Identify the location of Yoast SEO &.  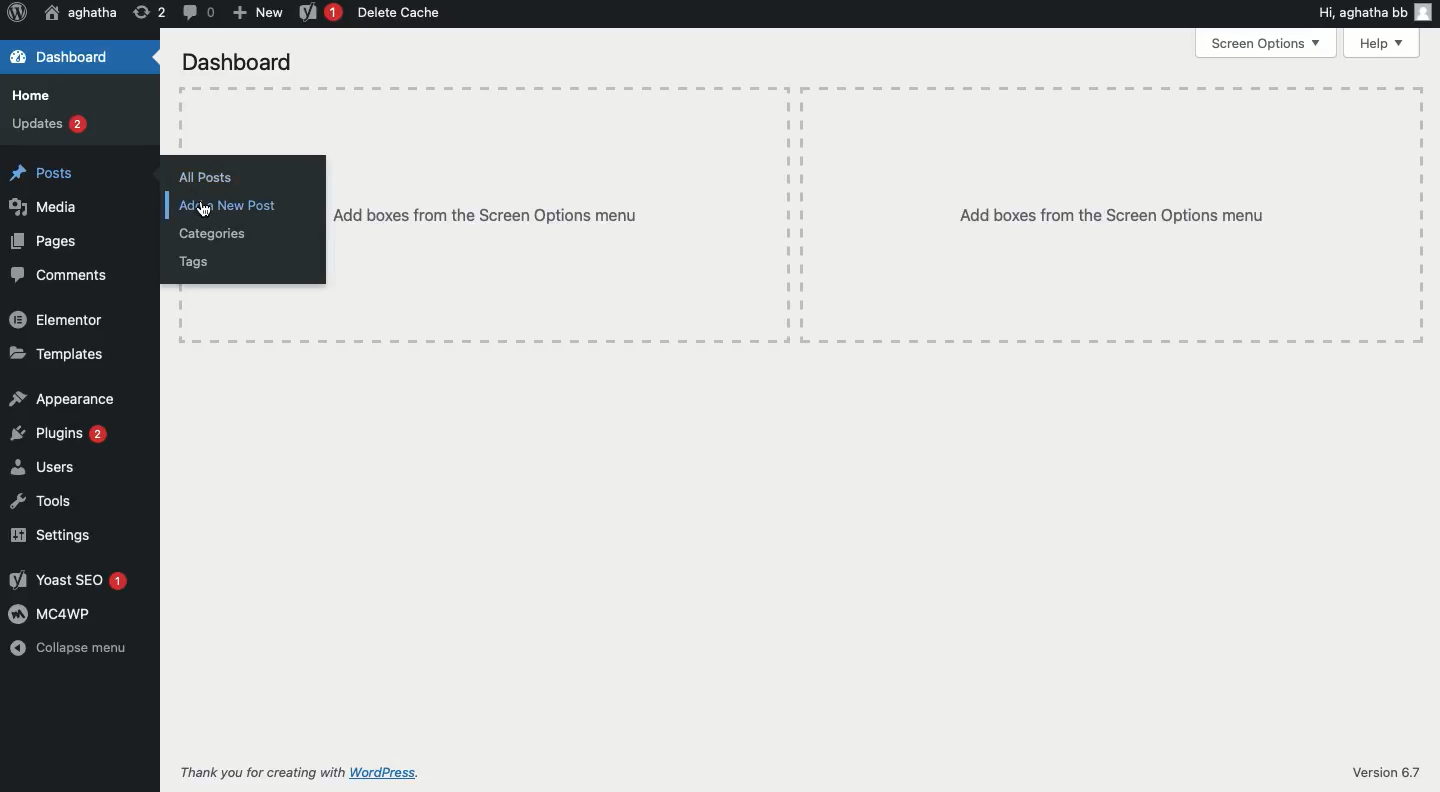
(70, 581).